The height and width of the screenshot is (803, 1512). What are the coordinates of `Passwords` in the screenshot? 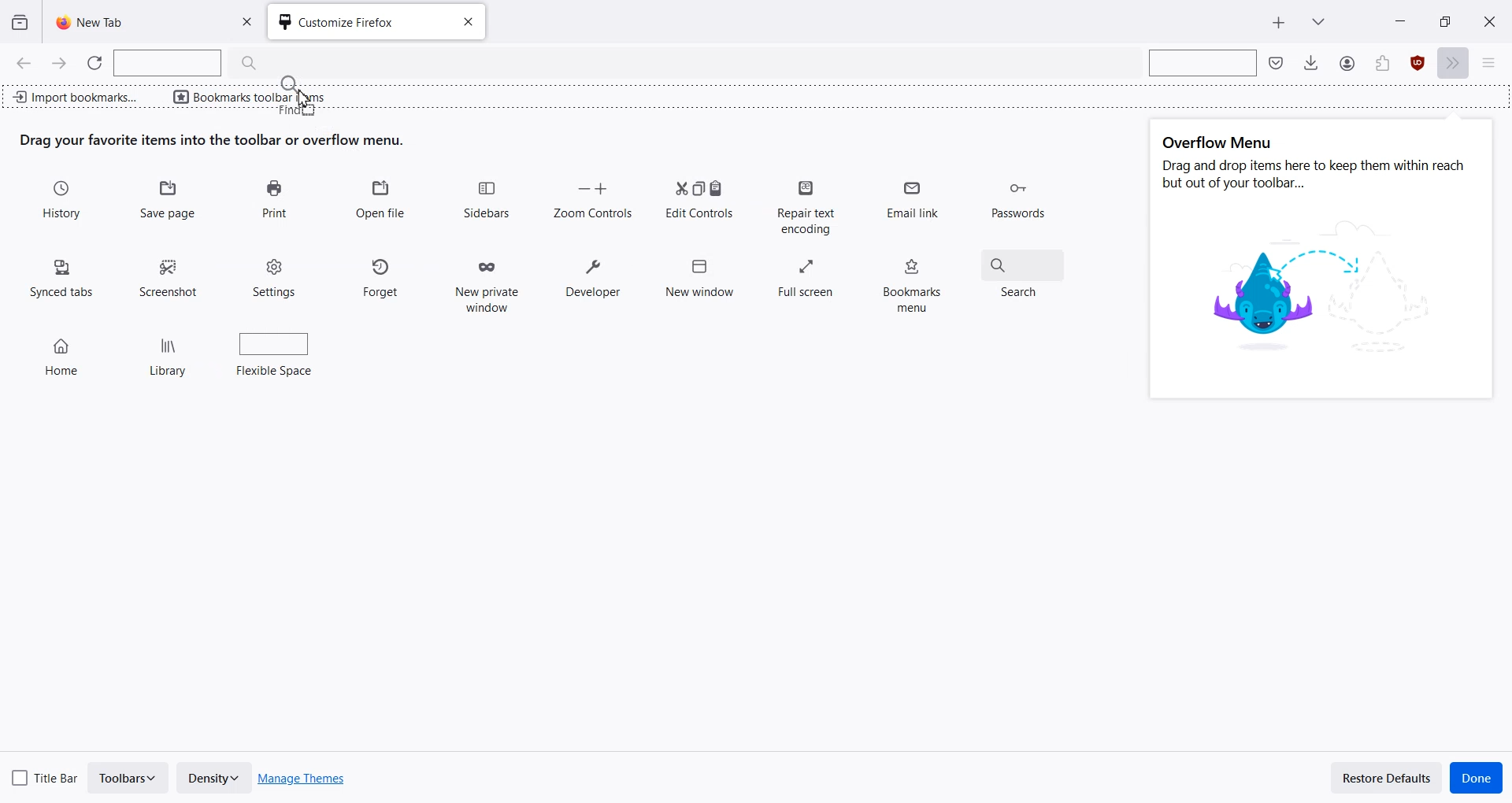 It's located at (1017, 202).